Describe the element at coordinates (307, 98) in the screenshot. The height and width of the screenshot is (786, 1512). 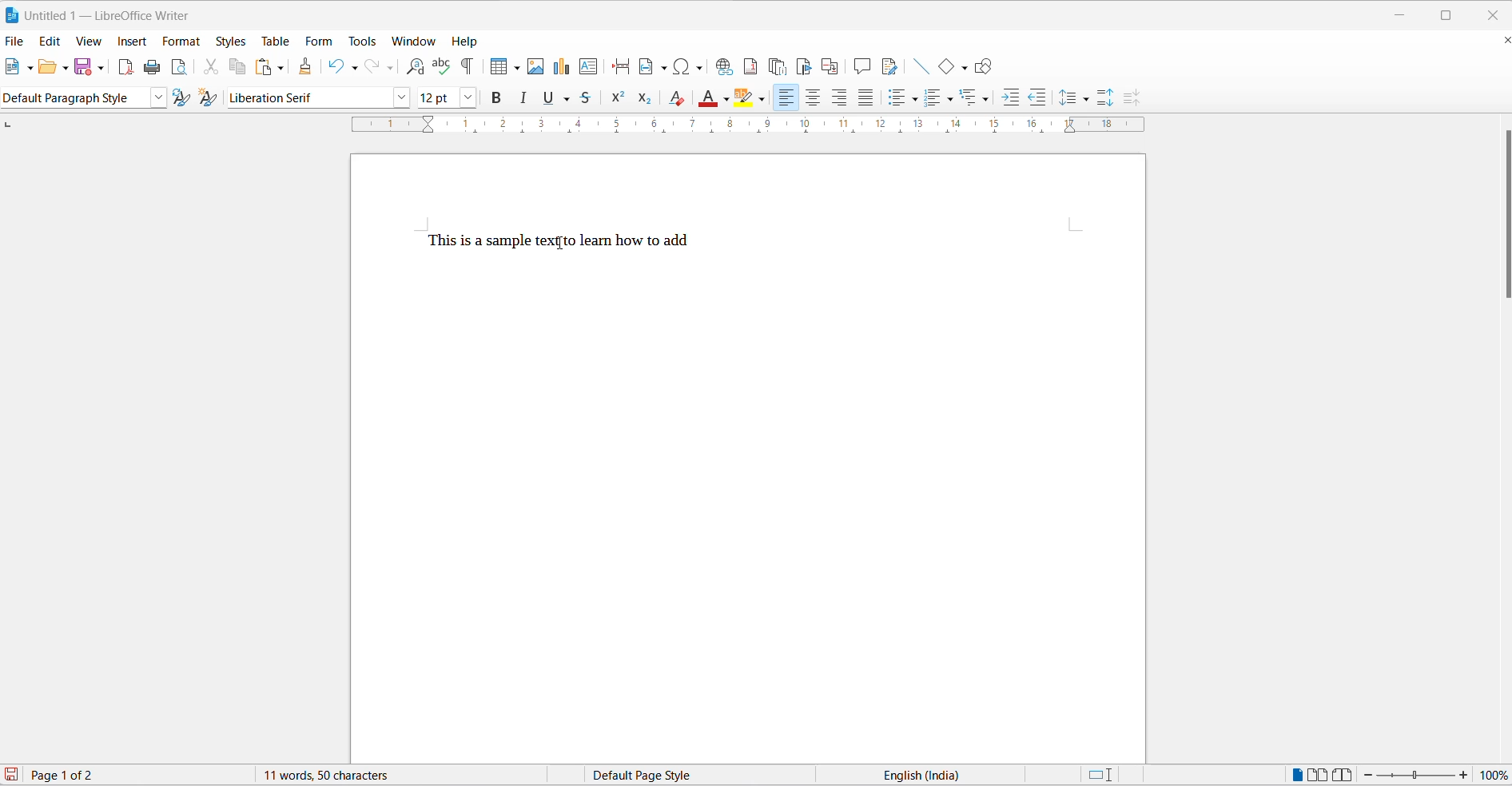
I see `font name` at that location.